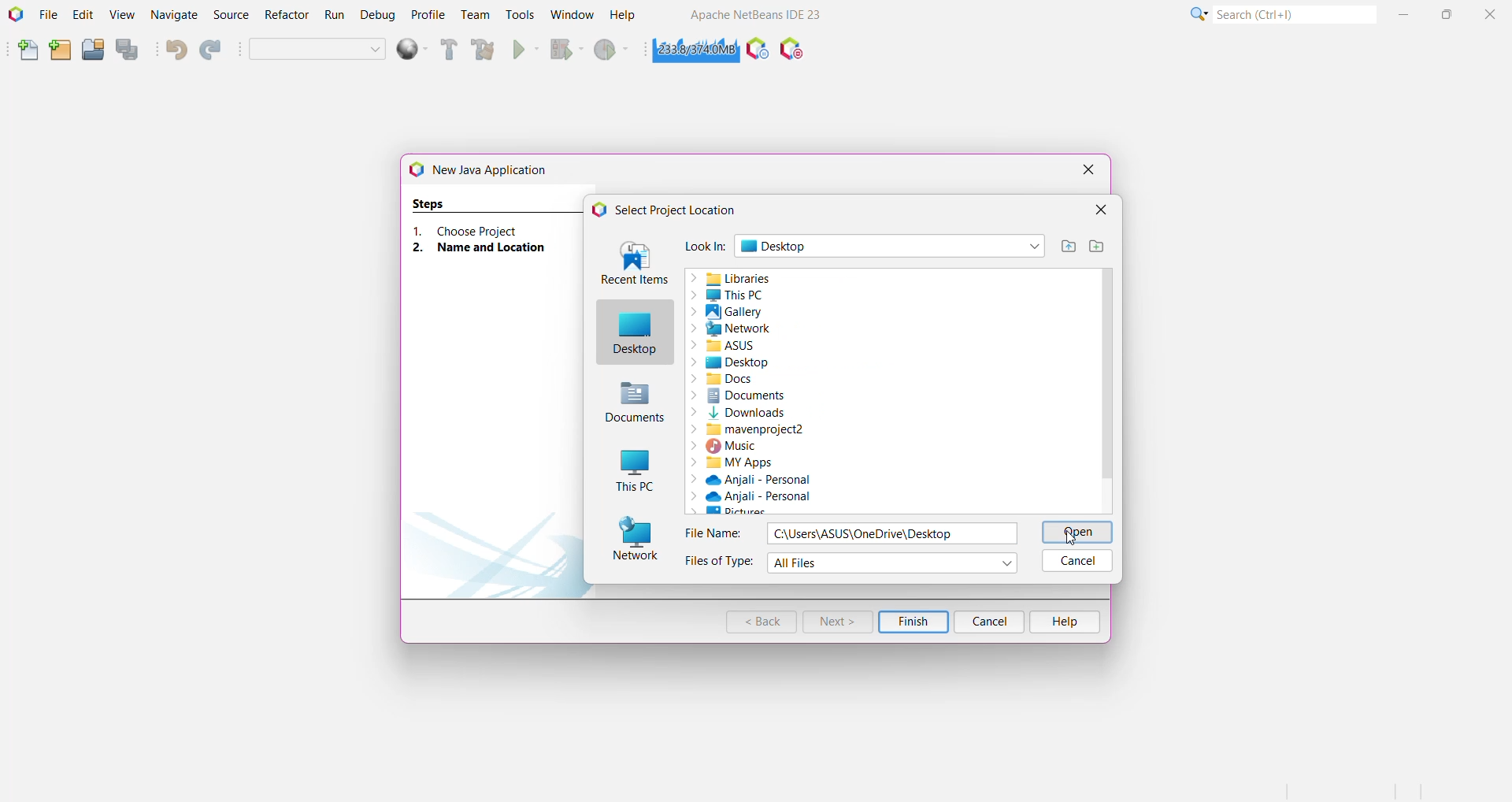 This screenshot has width=1512, height=802. What do you see at coordinates (377, 16) in the screenshot?
I see `Debug` at bounding box center [377, 16].